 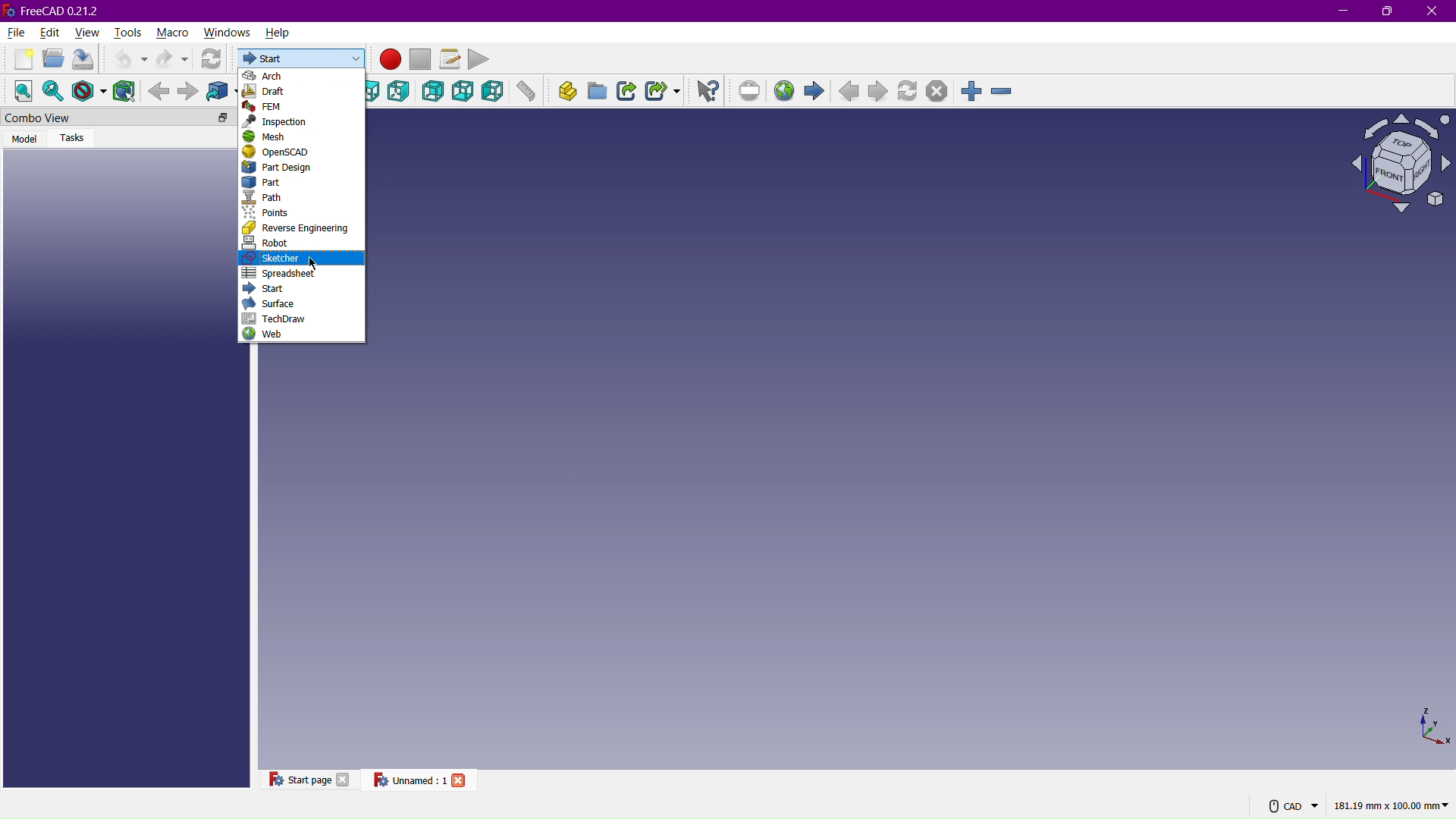 I want to click on Macro, so click(x=172, y=32).